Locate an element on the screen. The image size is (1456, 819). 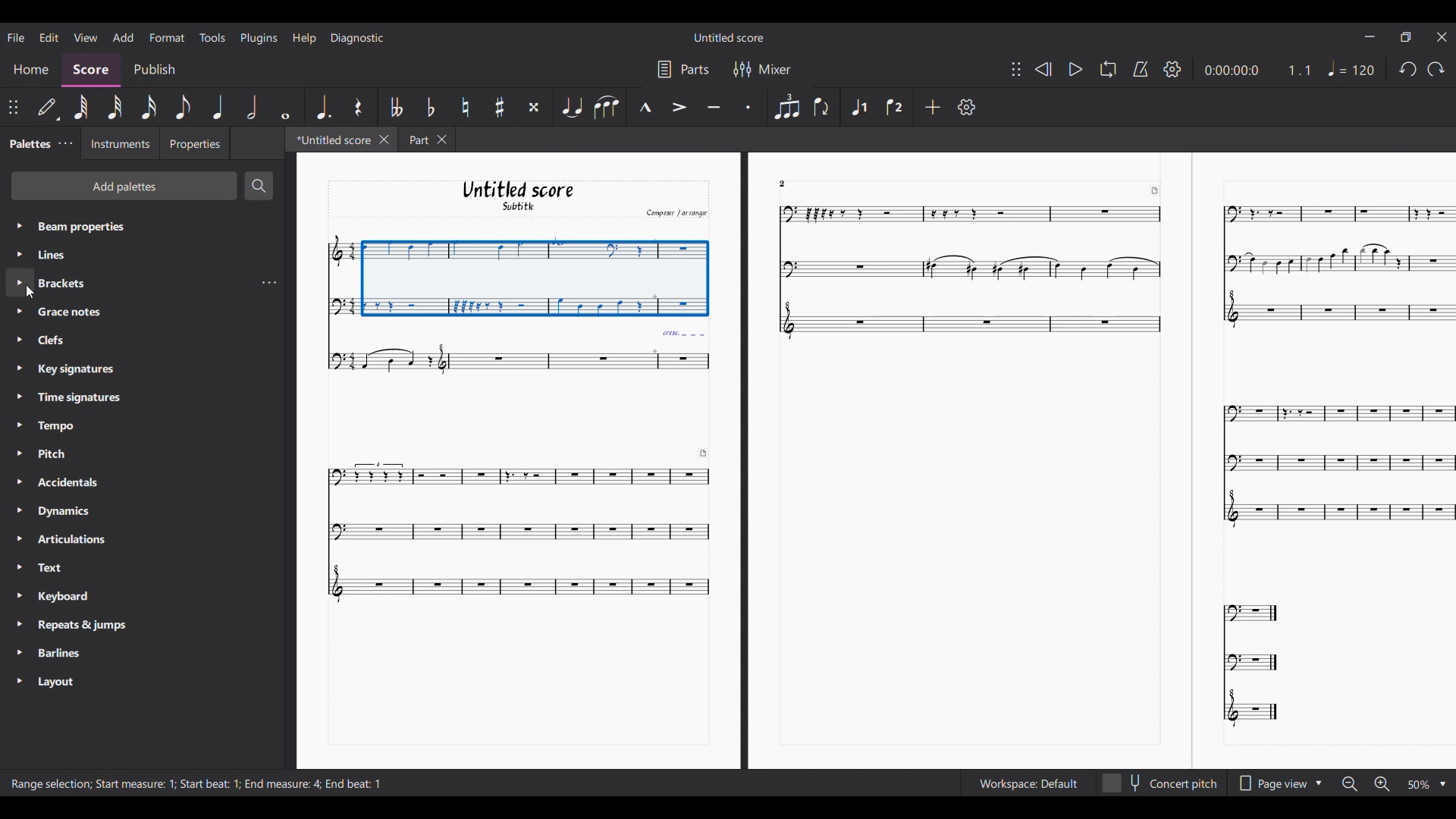
 is located at coordinates (17, 540).